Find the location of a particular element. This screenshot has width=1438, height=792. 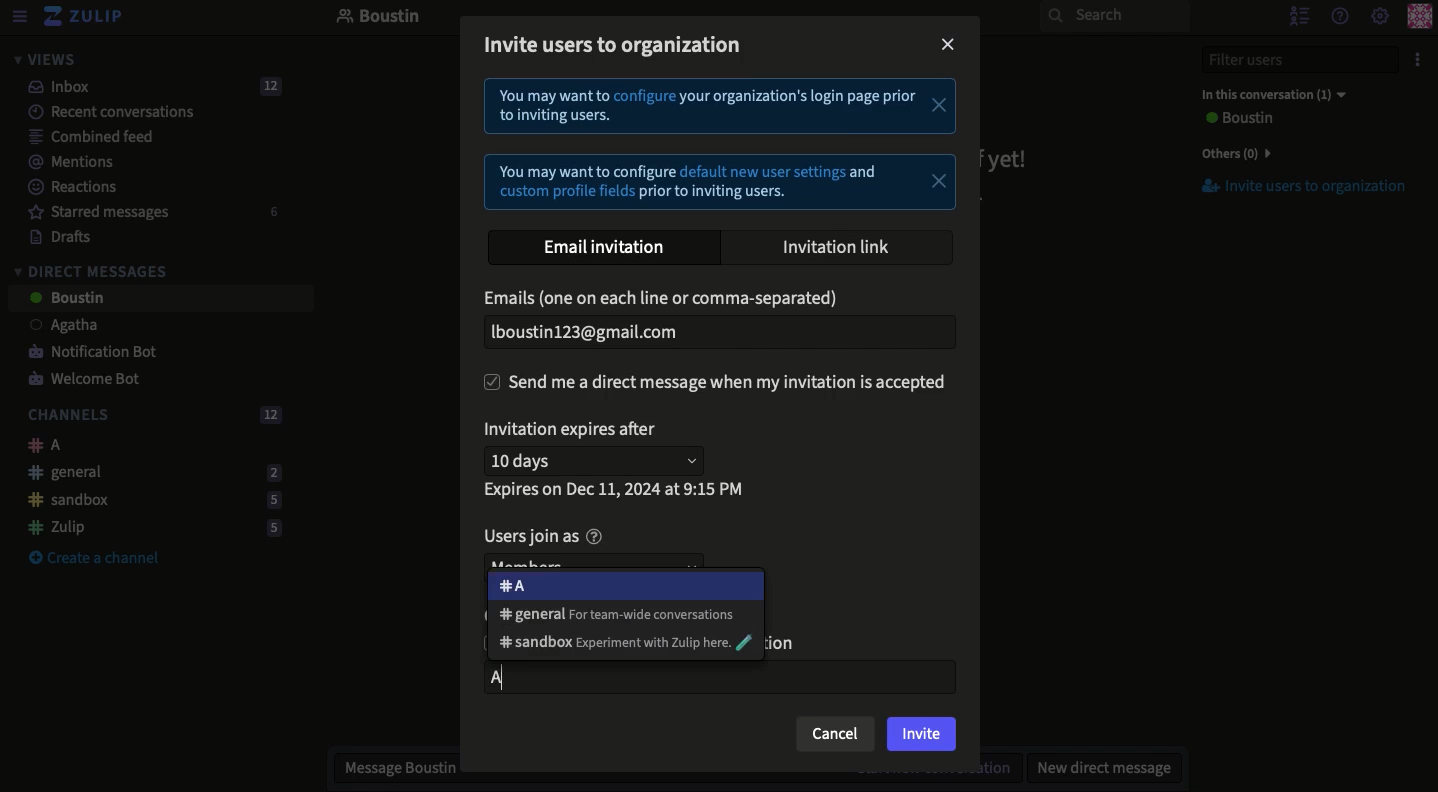

A is located at coordinates (503, 682).